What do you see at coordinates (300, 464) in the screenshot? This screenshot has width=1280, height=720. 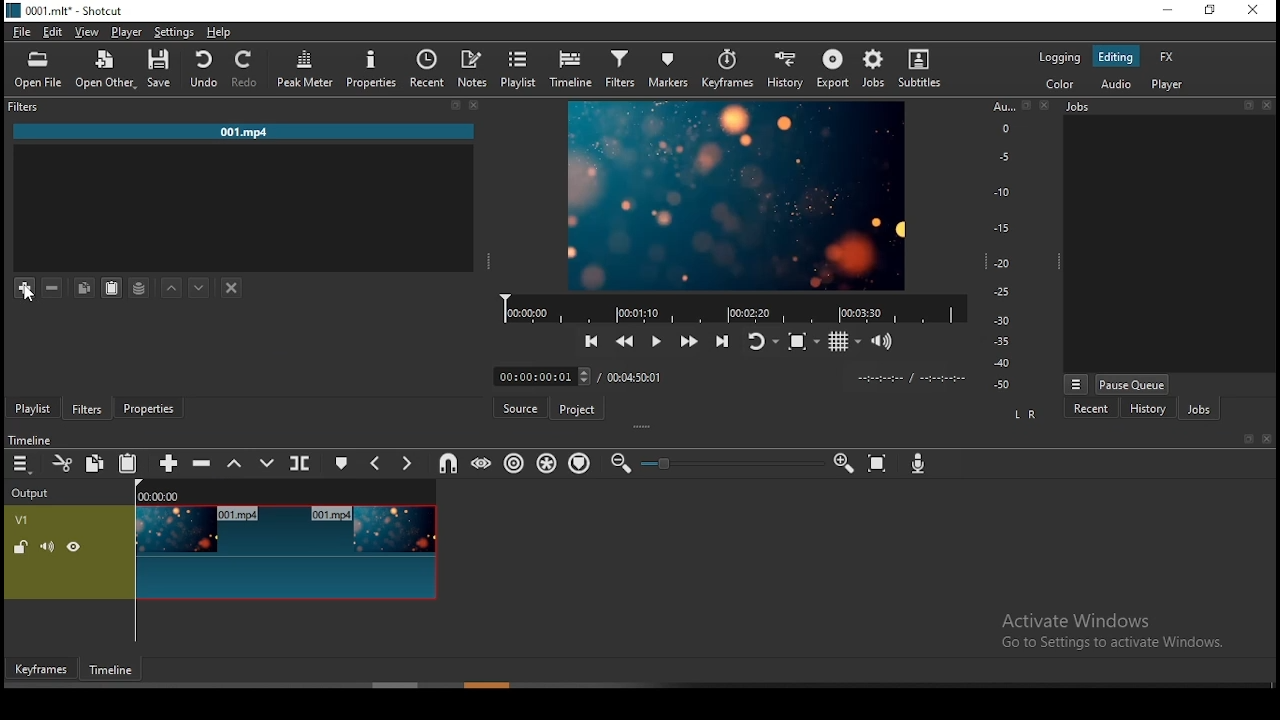 I see `split at playhead` at bounding box center [300, 464].